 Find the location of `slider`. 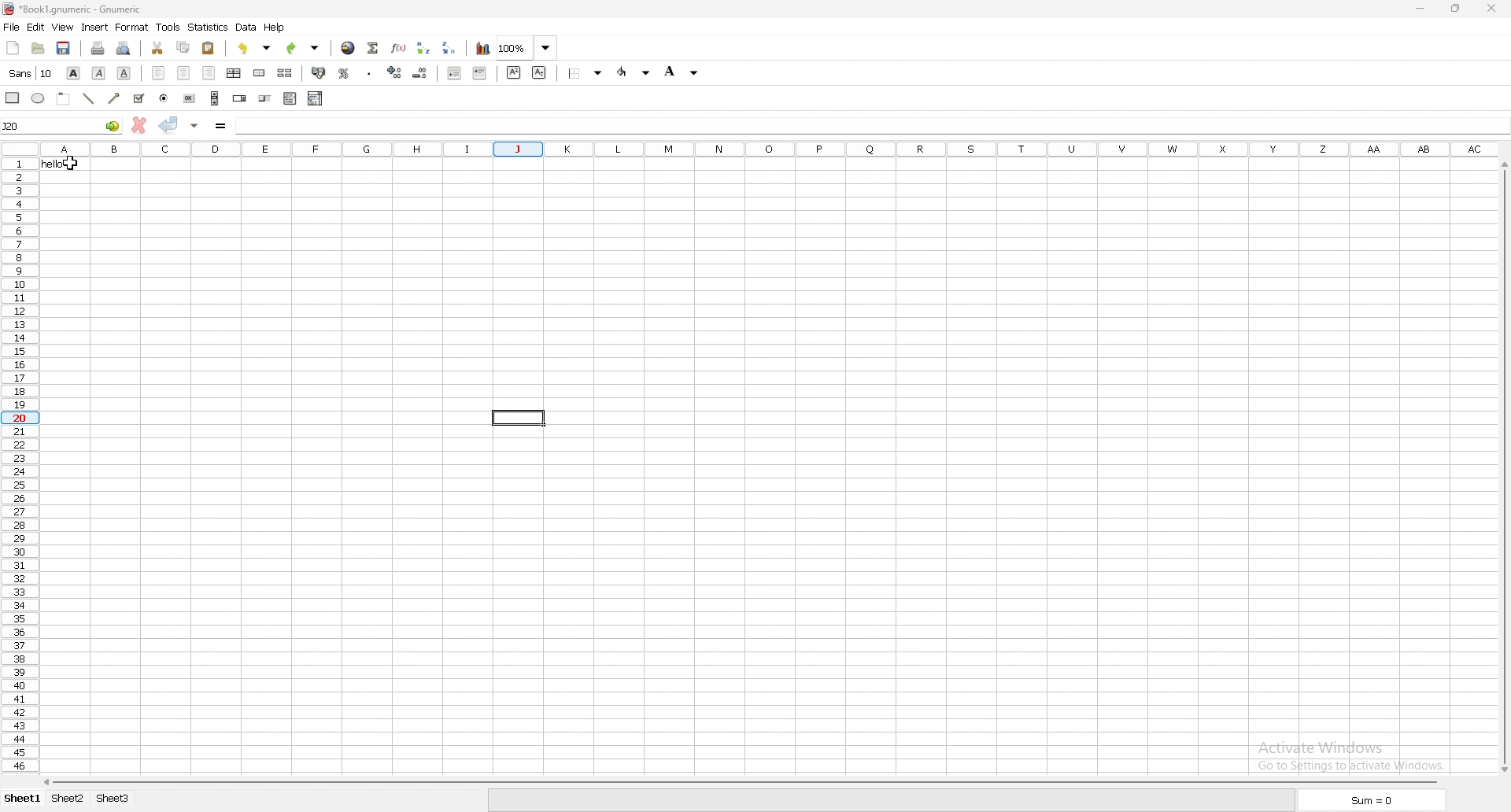

slider is located at coordinates (265, 99).